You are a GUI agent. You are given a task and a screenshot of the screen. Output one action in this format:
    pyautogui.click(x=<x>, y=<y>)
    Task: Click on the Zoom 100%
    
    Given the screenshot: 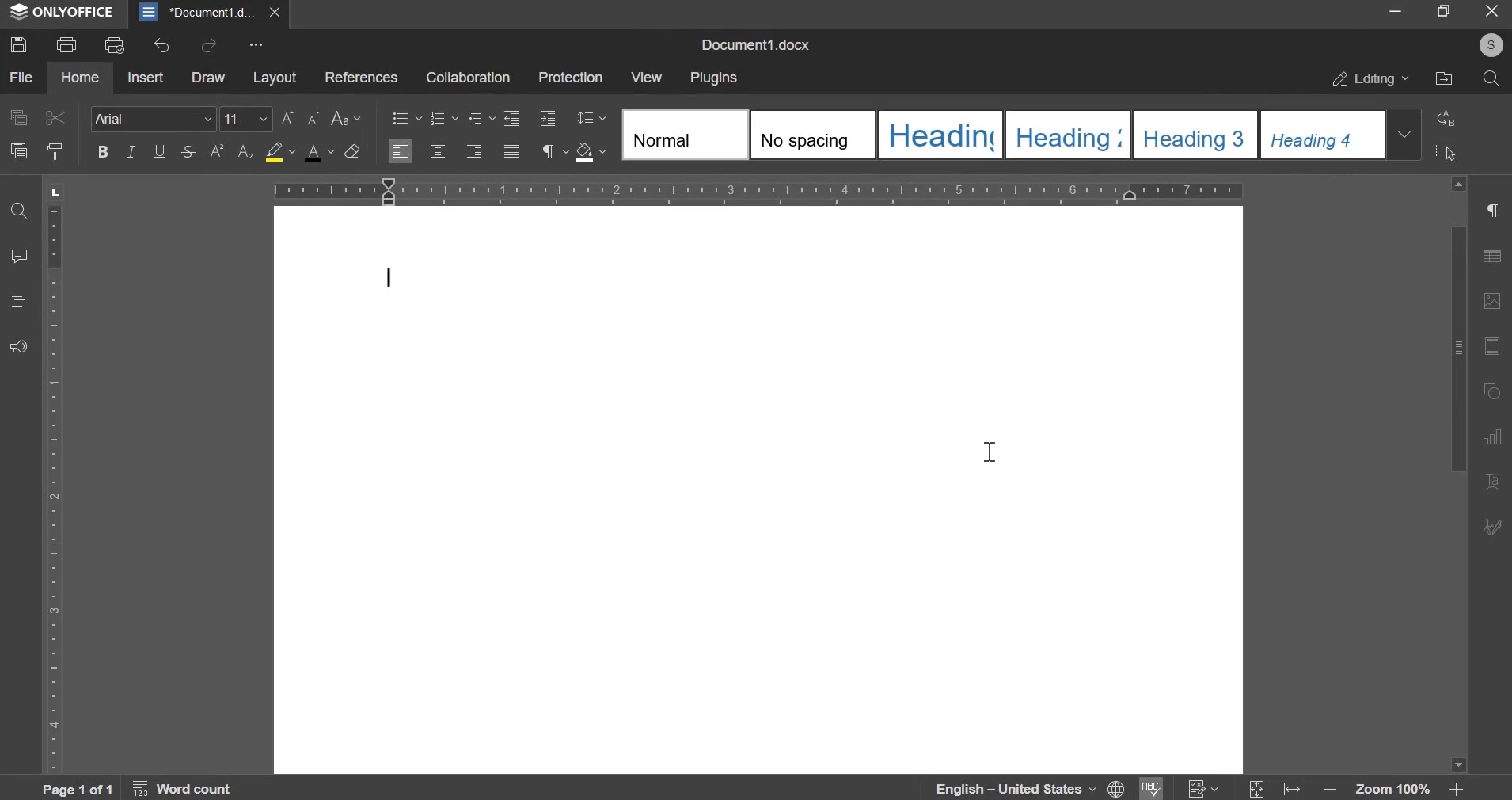 What is the action you would take?
    pyautogui.click(x=1393, y=790)
    